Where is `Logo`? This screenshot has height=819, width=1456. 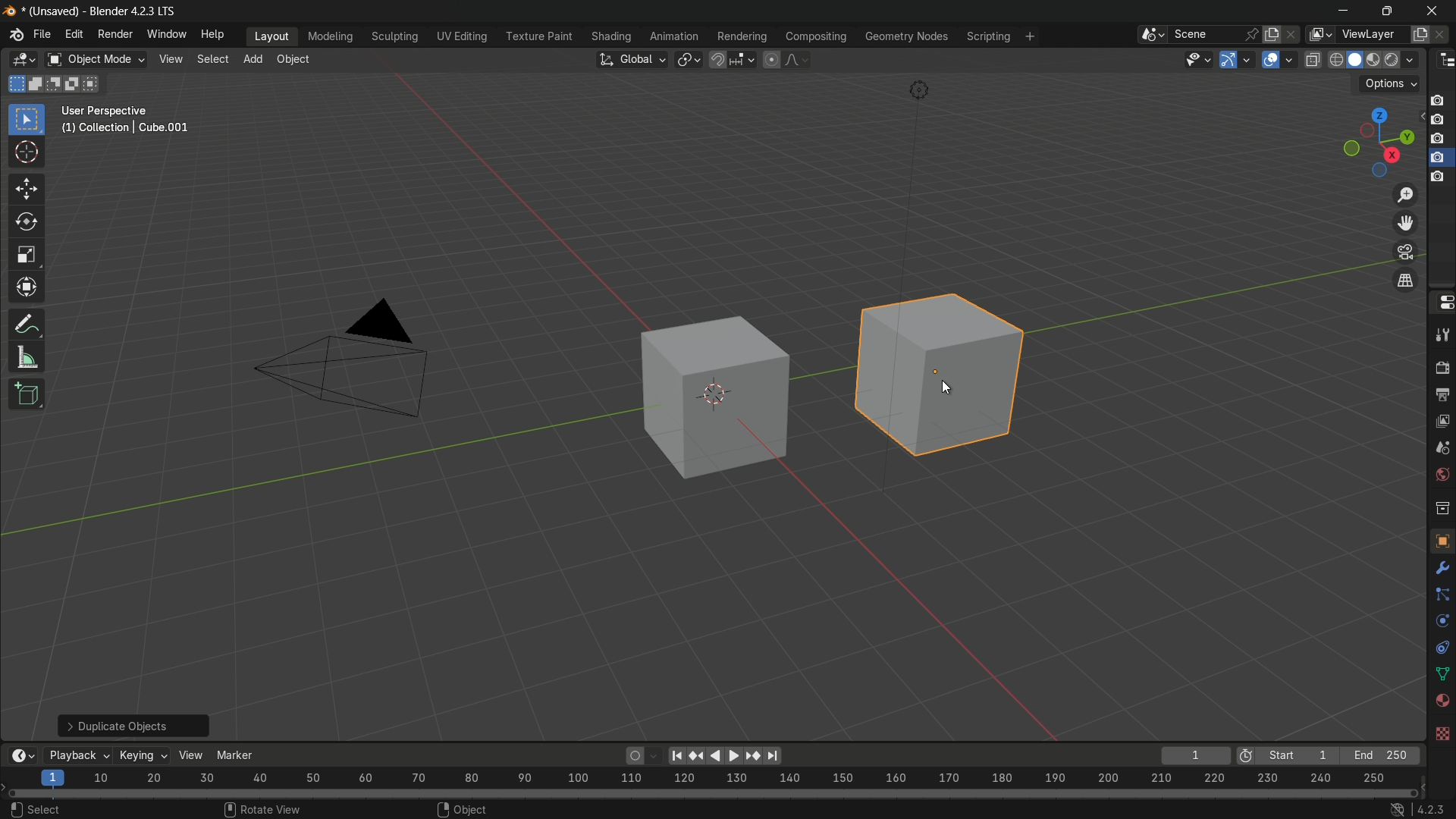
Logo is located at coordinates (12, 37).